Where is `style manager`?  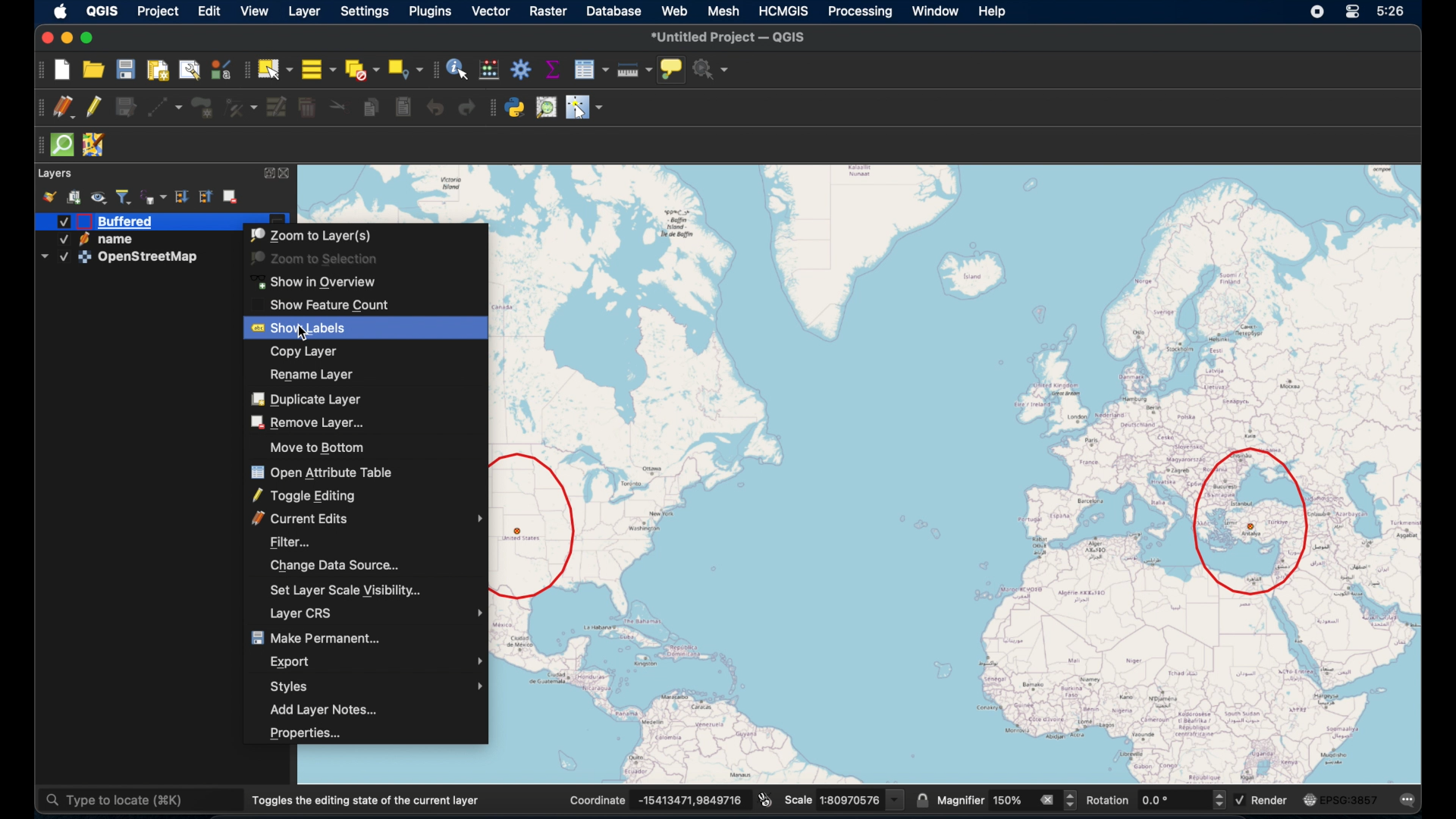
style manager is located at coordinates (221, 68).